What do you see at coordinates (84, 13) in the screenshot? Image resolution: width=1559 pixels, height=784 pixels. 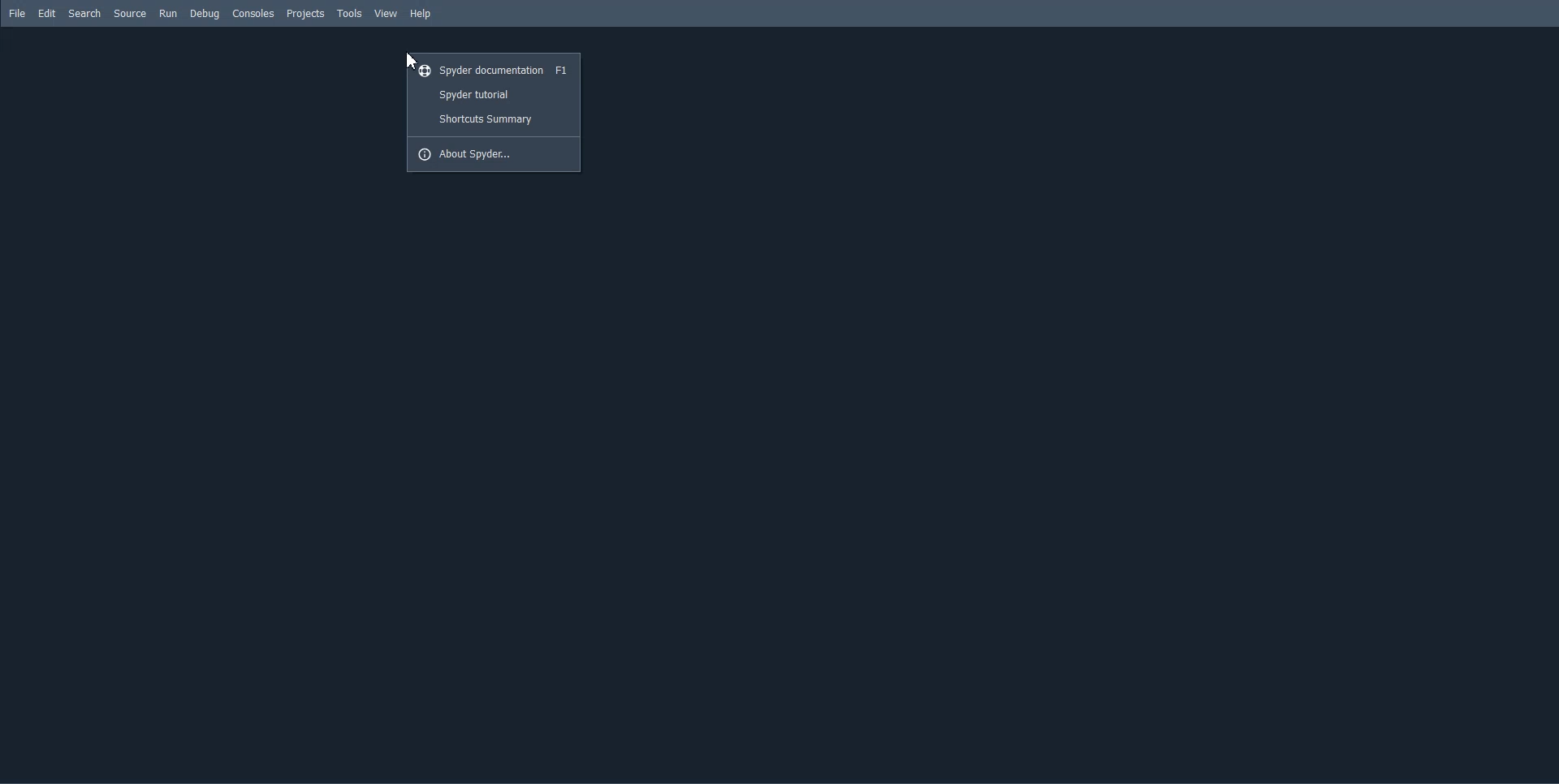 I see `Search` at bounding box center [84, 13].